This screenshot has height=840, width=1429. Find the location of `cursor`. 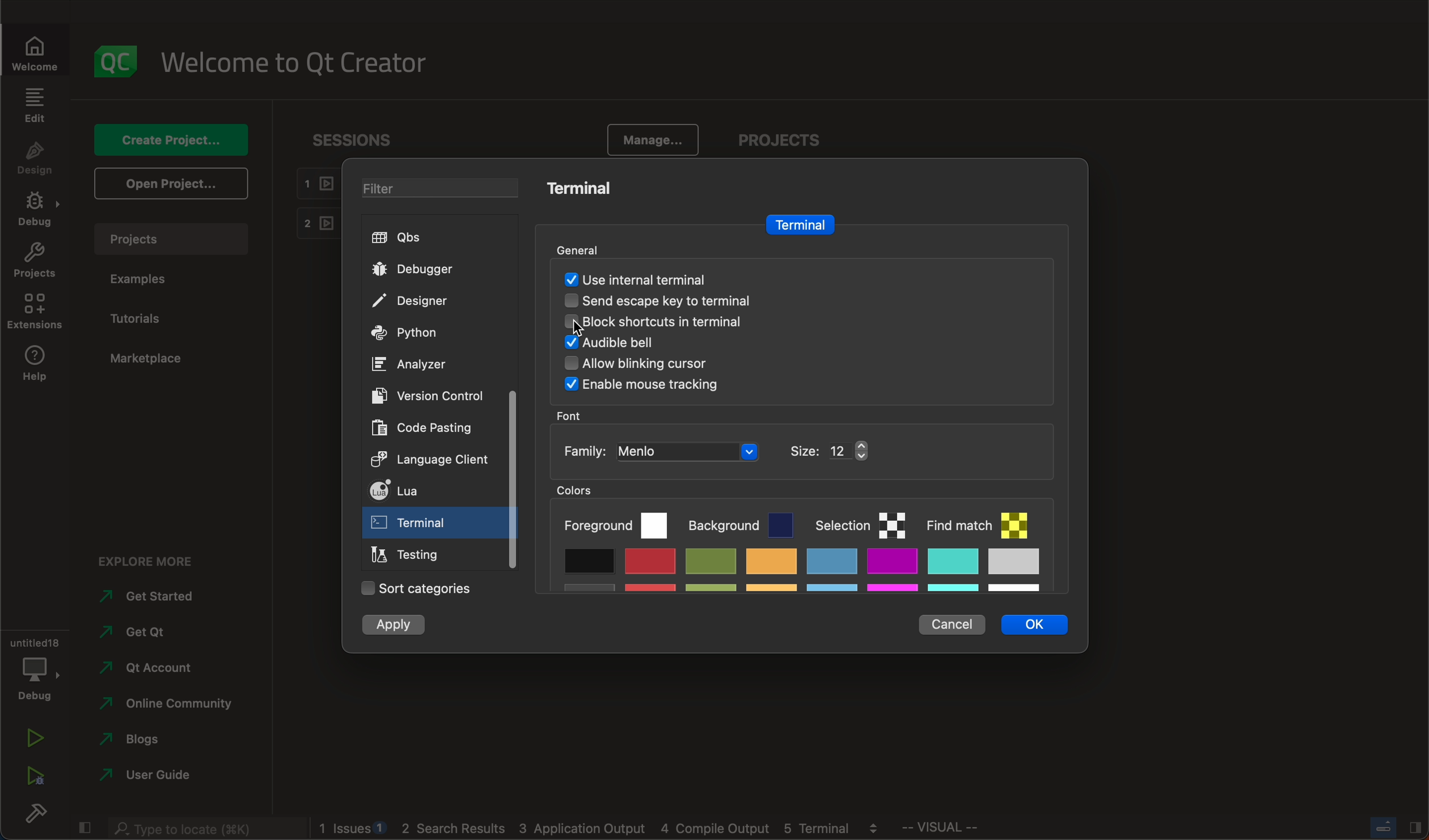

cursor is located at coordinates (576, 328).